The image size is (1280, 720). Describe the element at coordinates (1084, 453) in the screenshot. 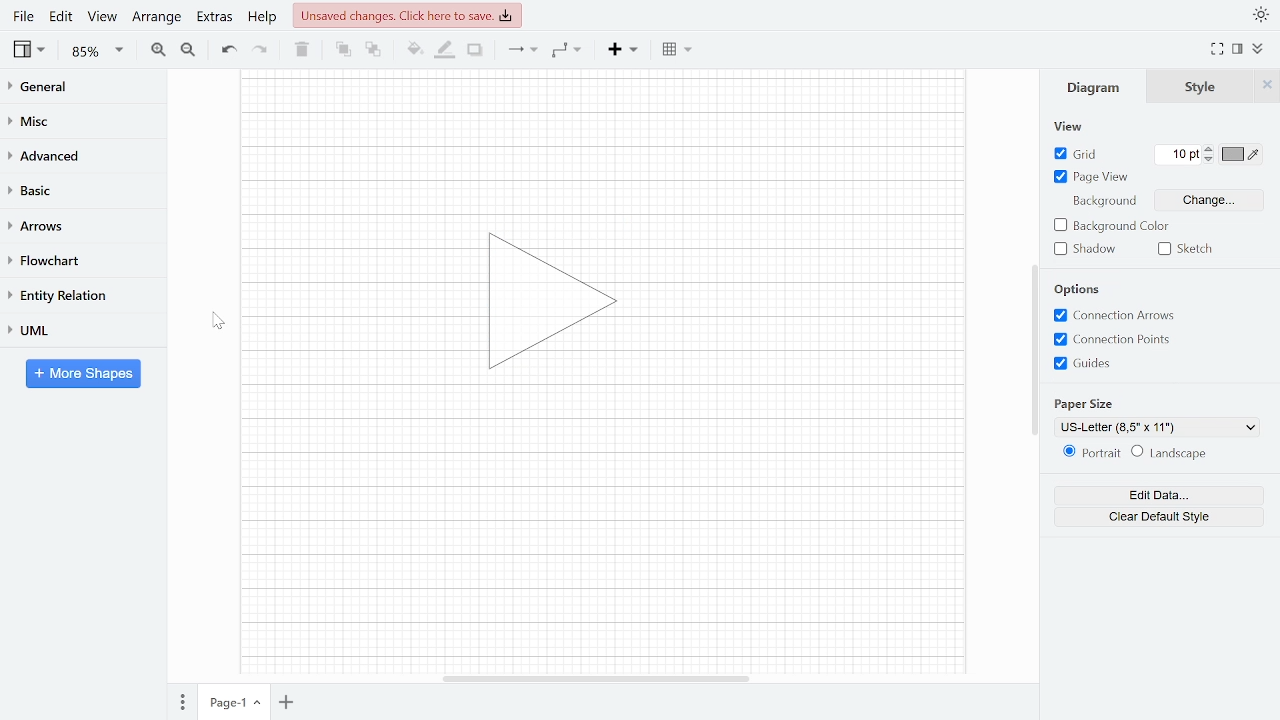

I see `portrait` at that location.